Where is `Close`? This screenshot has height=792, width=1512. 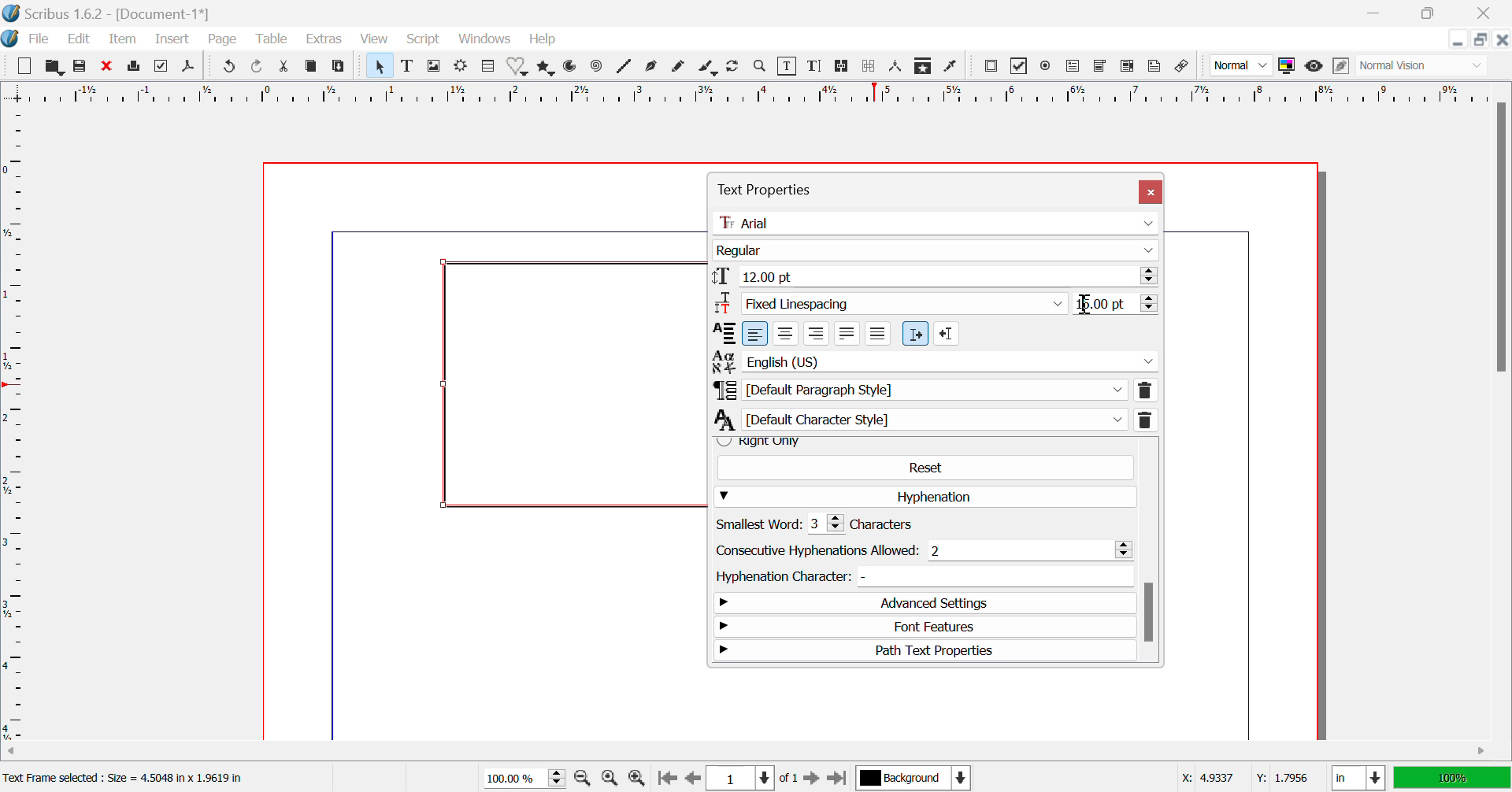
Close is located at coordinates (1151, 192).